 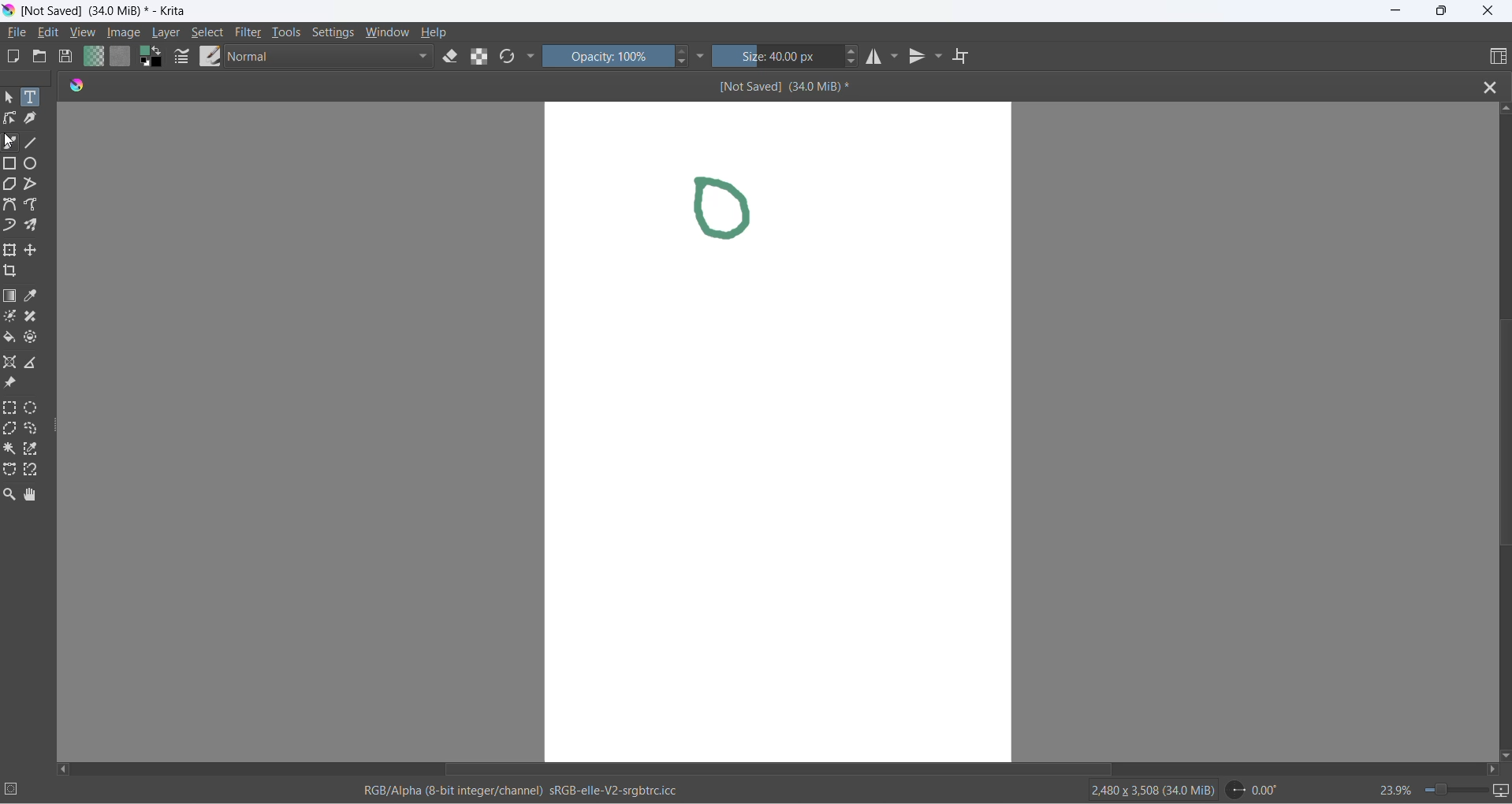 What do you see at coordinates (39, 101) in the screenshot?
I see `text tool` at bounding box center [39, 101].